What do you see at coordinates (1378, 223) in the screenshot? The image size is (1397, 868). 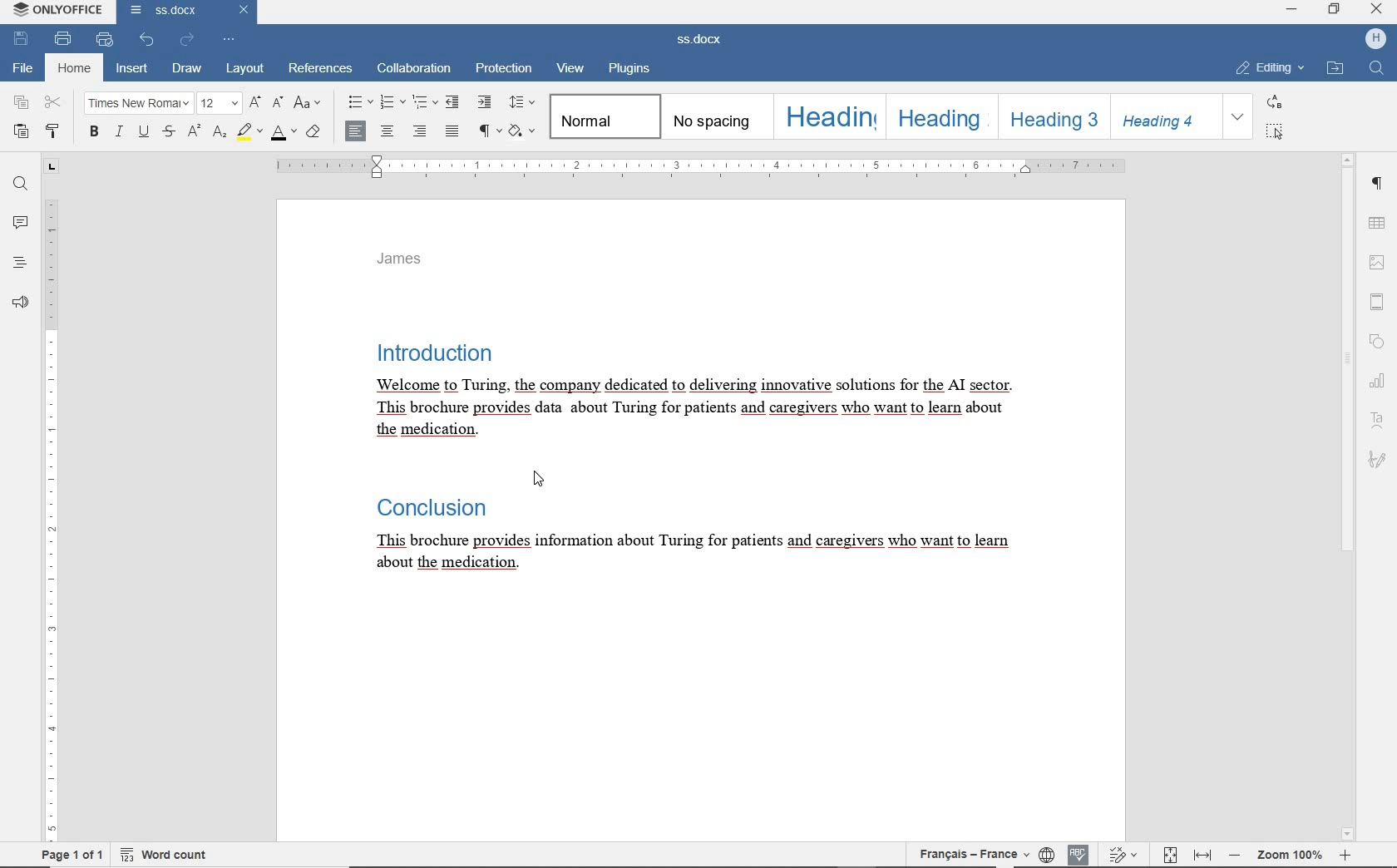 I see `TABLE` at bounding box center [1378, 223].